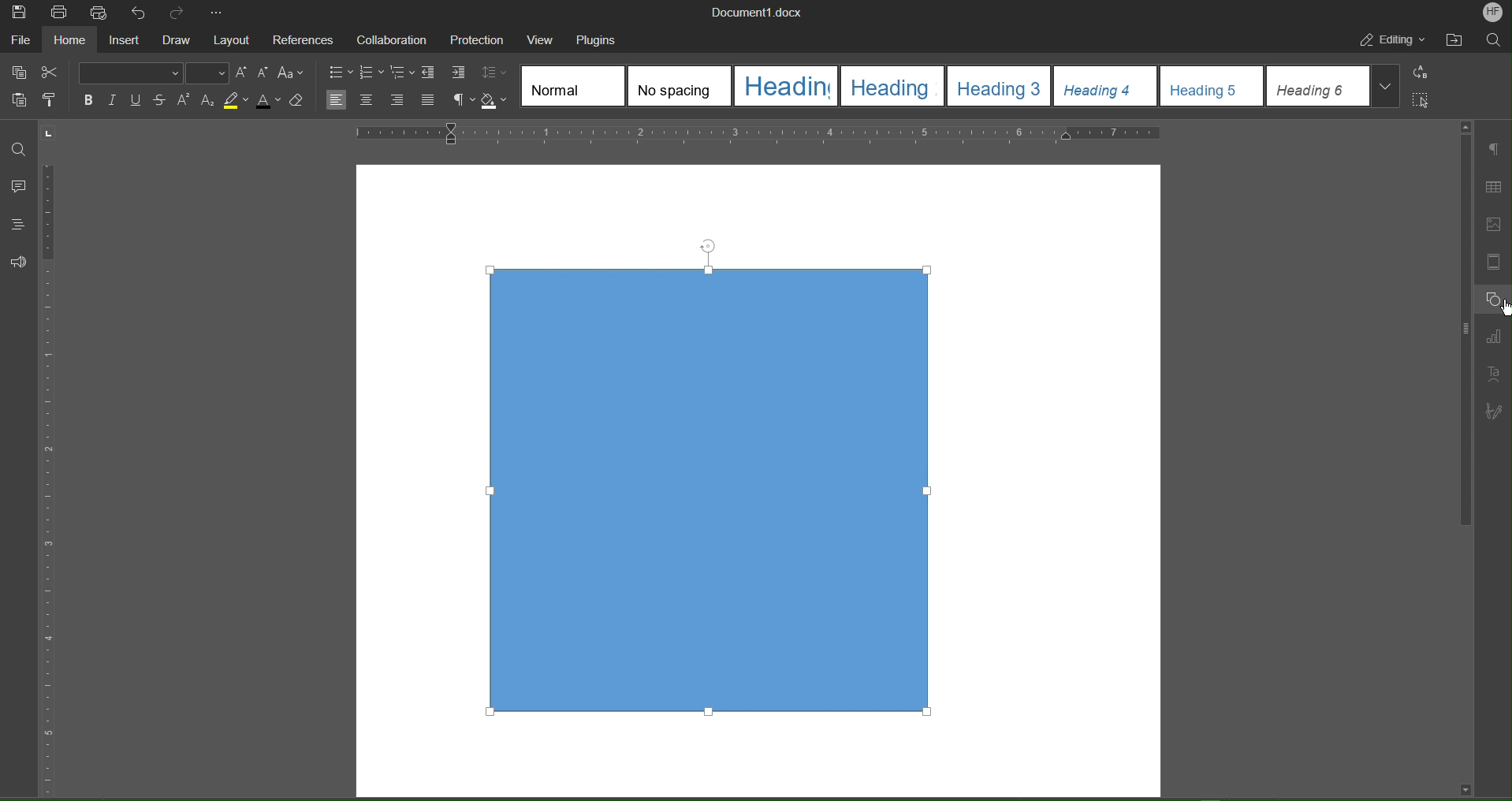 Image resolution: width=1512 pixels, height=801 pixels. What do you see at coordinates (19, 263) in the screenshot?
I see `Feedback and Support` at bounding box center [19, 263].